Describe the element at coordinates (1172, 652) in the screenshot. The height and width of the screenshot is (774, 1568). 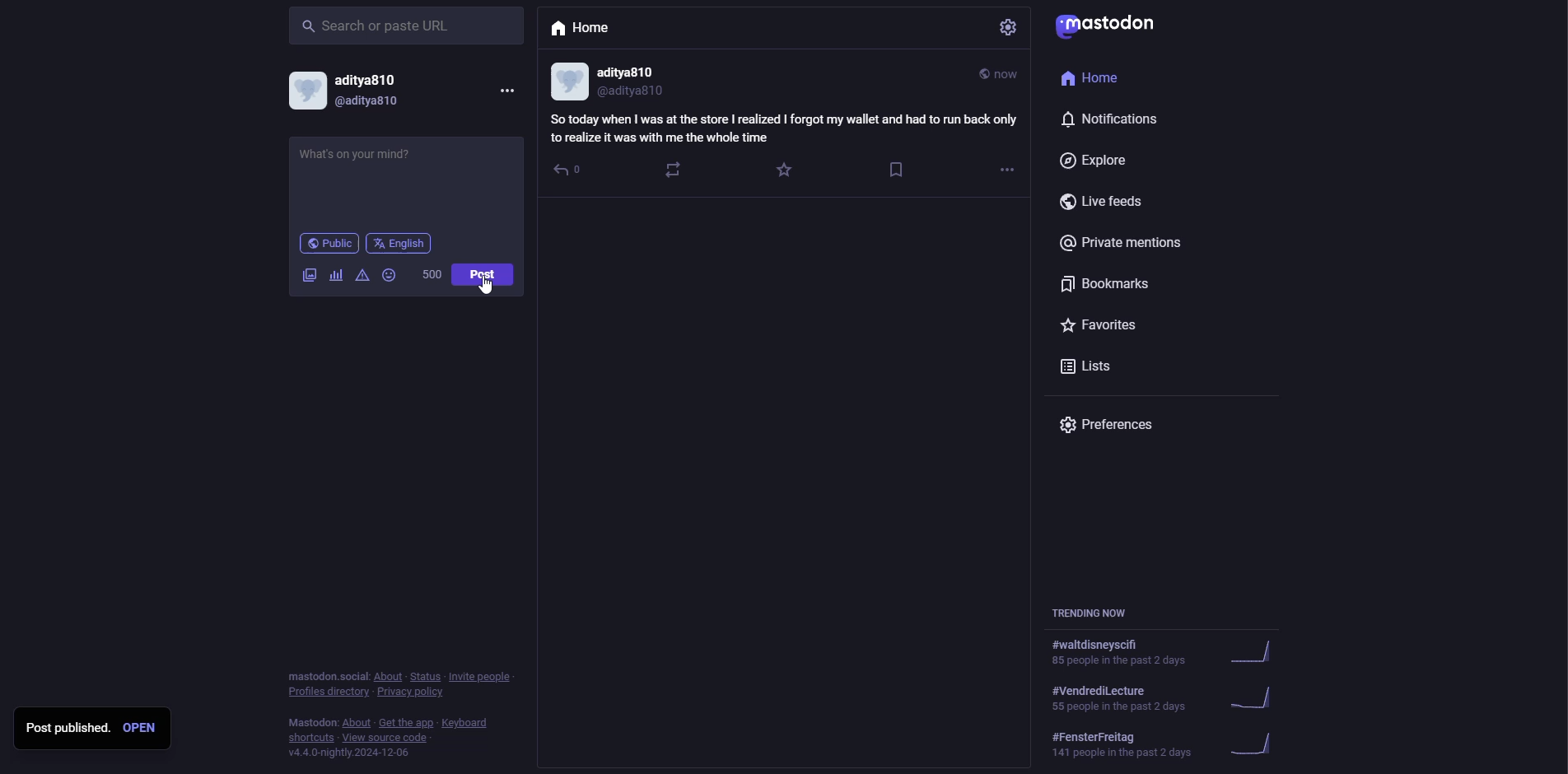
I see `trending now` at that location.